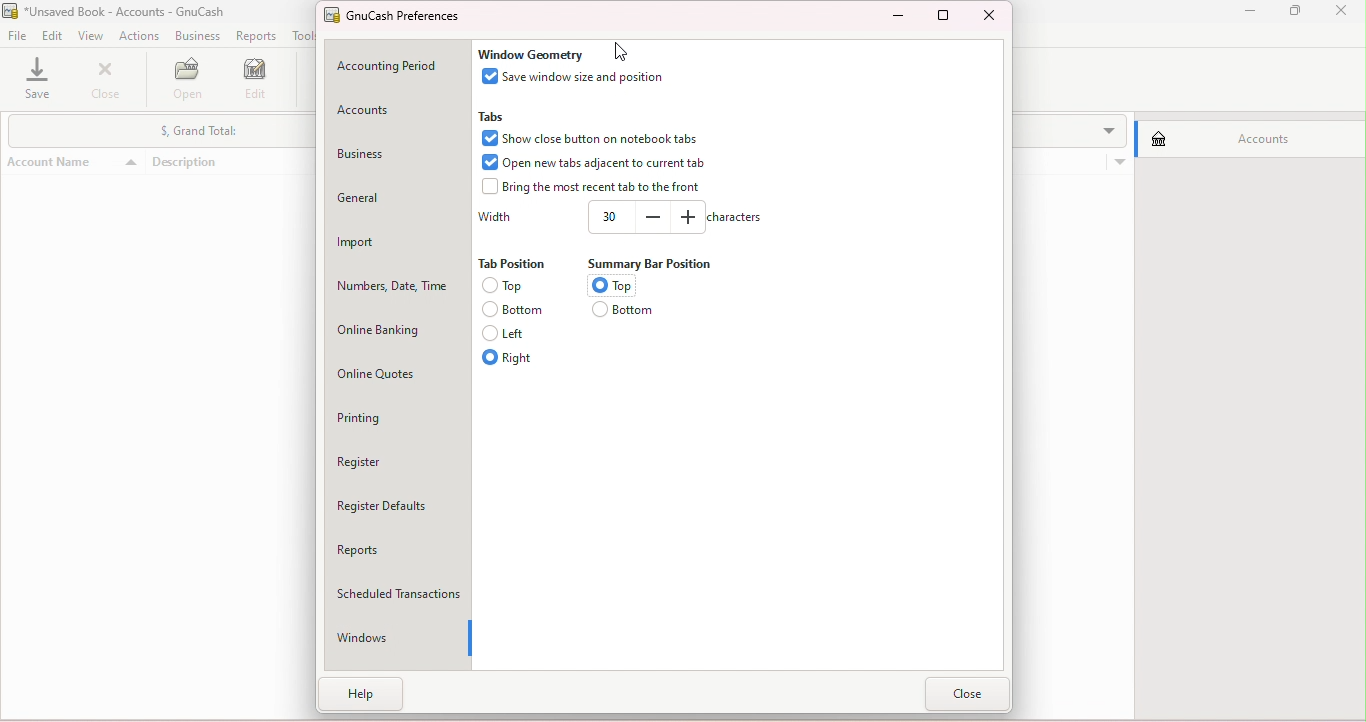 This screenshot has height=722, width=1366. What do you see at coordinates (661, 263) in the screenshot?
I see `Summary position` at bounding box center [661, 263].